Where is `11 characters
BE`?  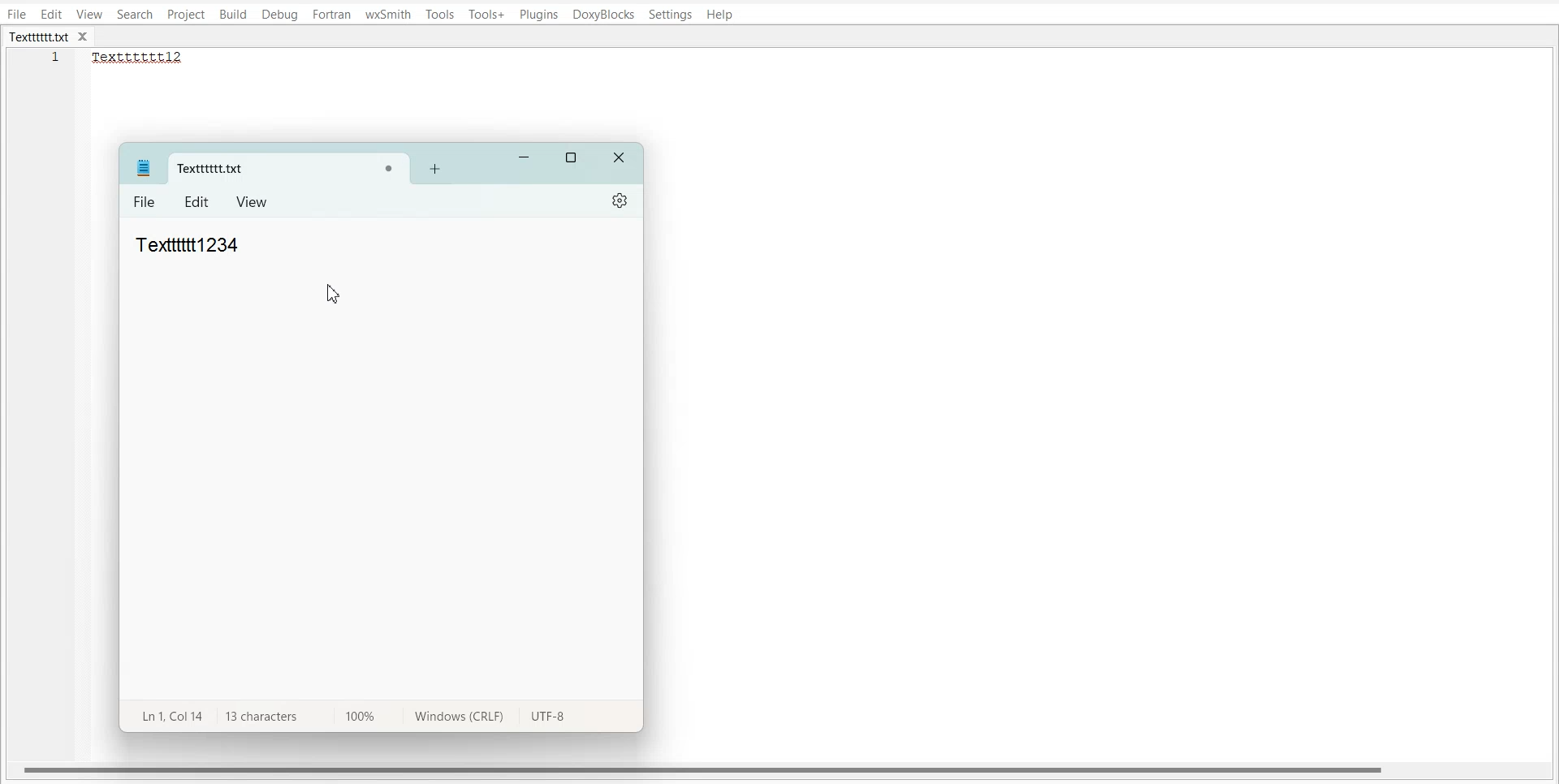 11 characters
BE is located at coordinates (260, 717).